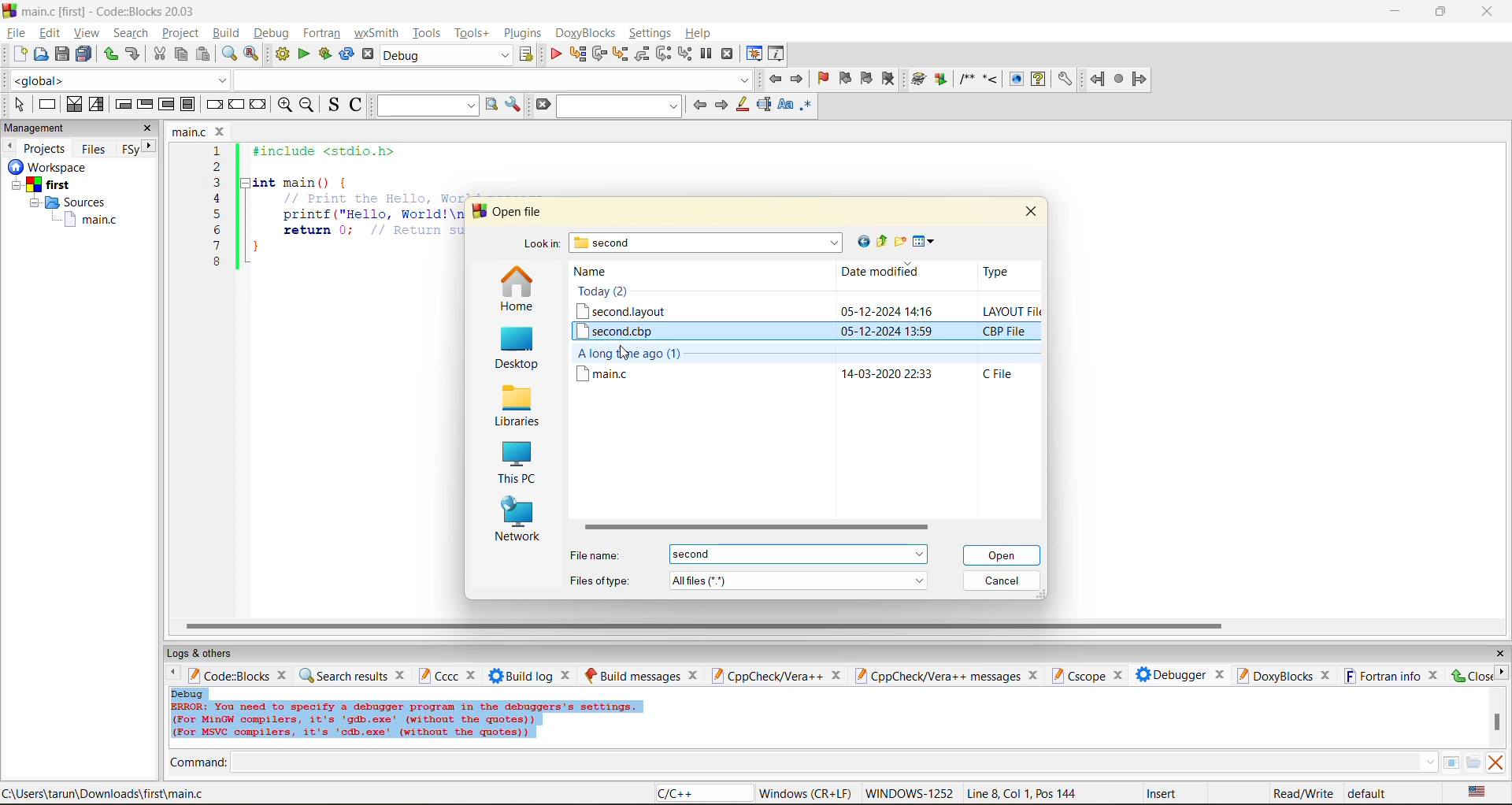 The height and width of the screenshot is (805, 1512). What do you see at coordinates (754, 528) in the screenshot?
I see `horizontal scroll bar` at bounding box center [754, 528].